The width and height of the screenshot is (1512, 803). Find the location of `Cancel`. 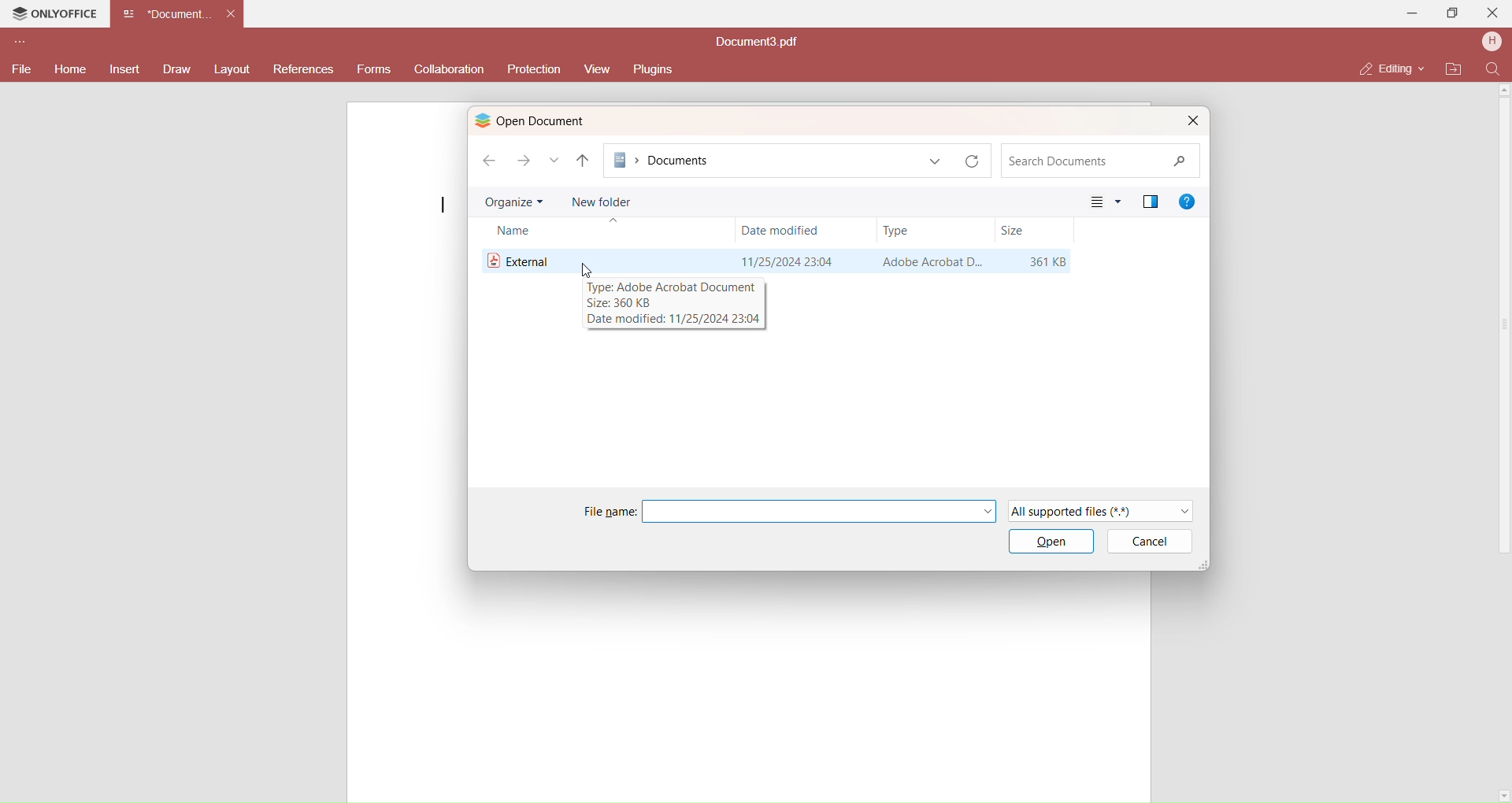

Cancel is located at coordinates (1156, 542).